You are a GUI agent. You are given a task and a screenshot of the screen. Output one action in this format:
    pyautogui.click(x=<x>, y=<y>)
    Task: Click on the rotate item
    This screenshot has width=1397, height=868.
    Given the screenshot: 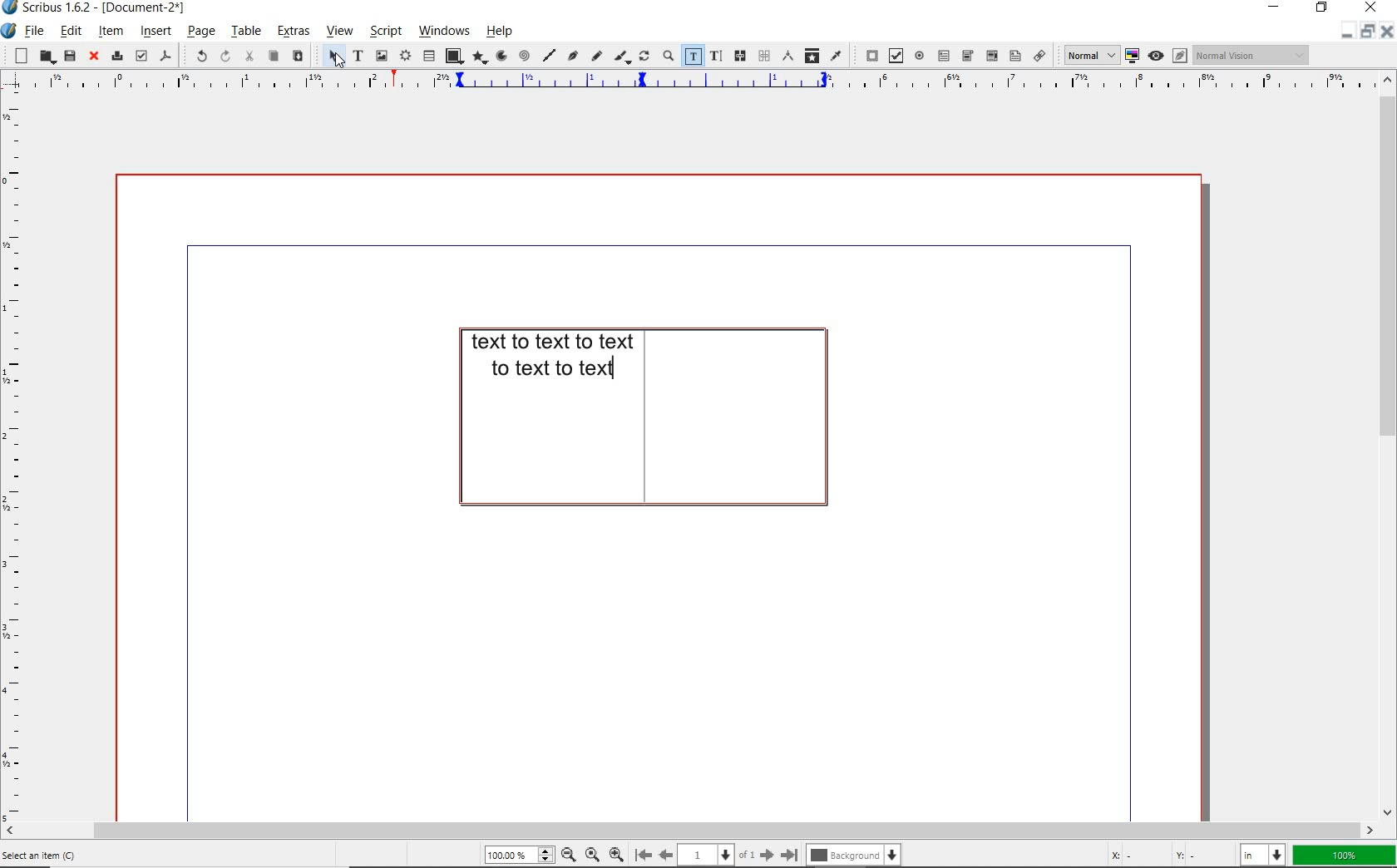 What is the action you would take?
    pyautogui.click(x=643, y=57)
    